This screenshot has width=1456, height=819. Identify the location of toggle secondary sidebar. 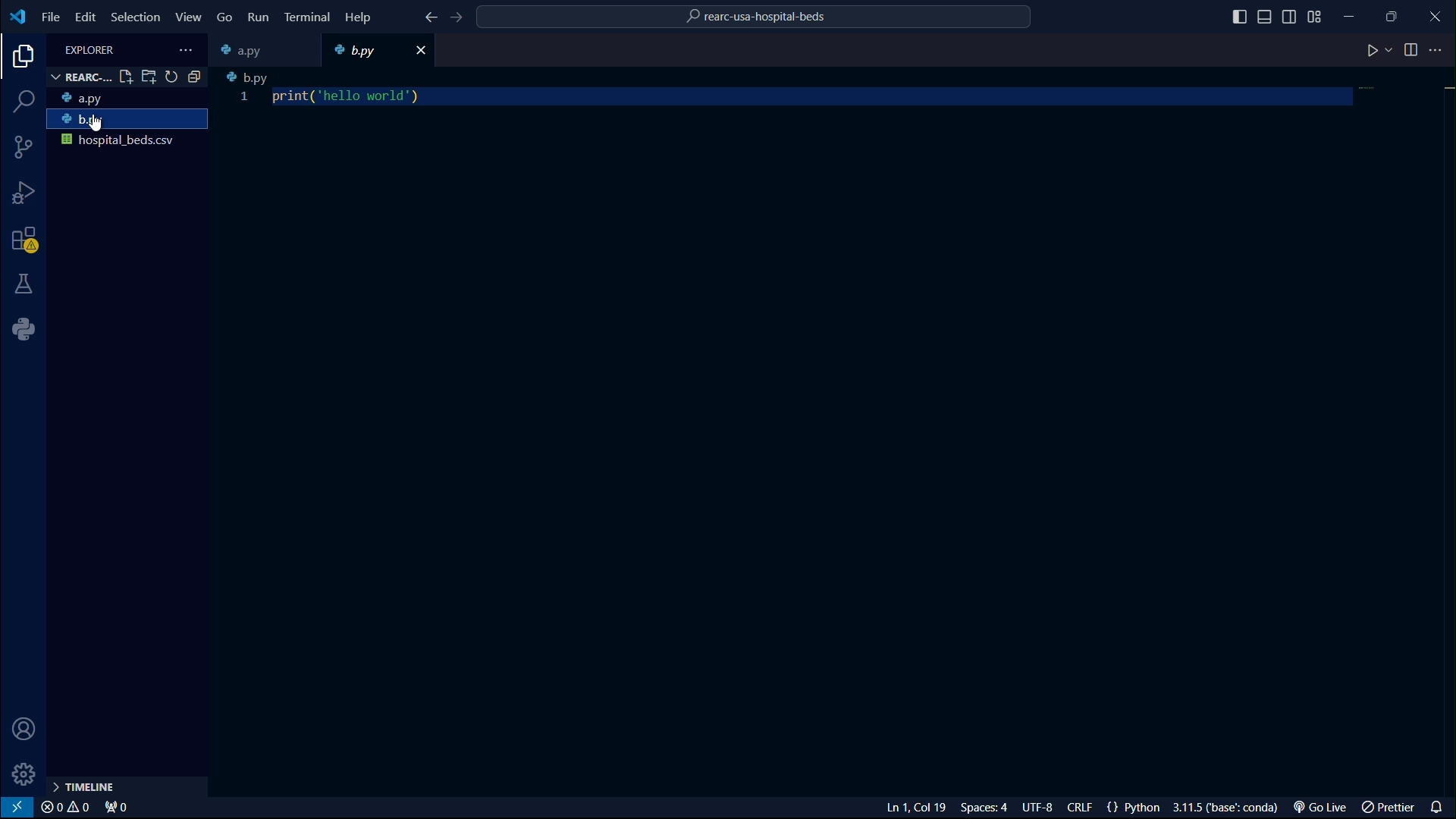
(1291, 14).